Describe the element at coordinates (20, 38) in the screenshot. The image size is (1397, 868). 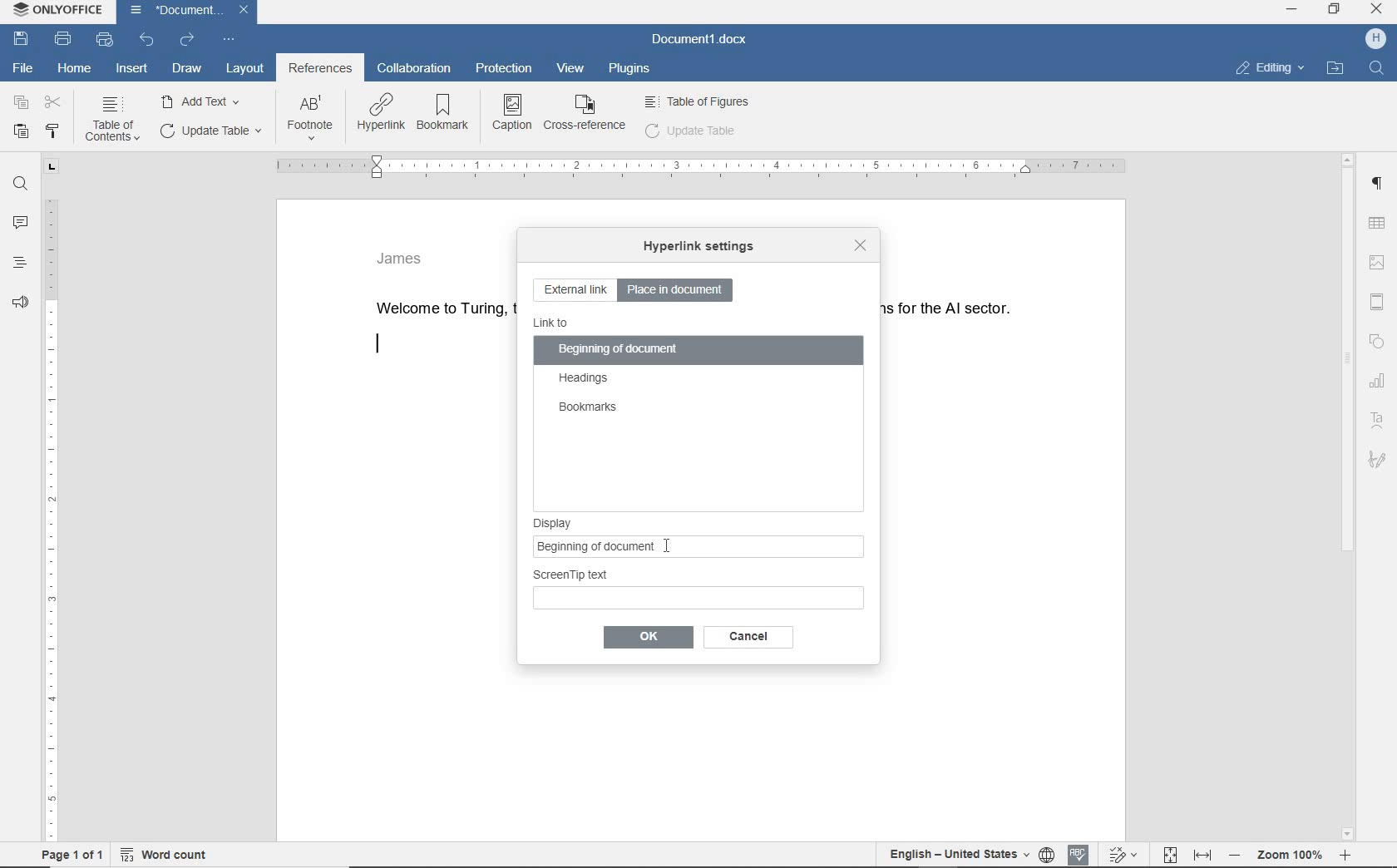
I see `save` at that location.